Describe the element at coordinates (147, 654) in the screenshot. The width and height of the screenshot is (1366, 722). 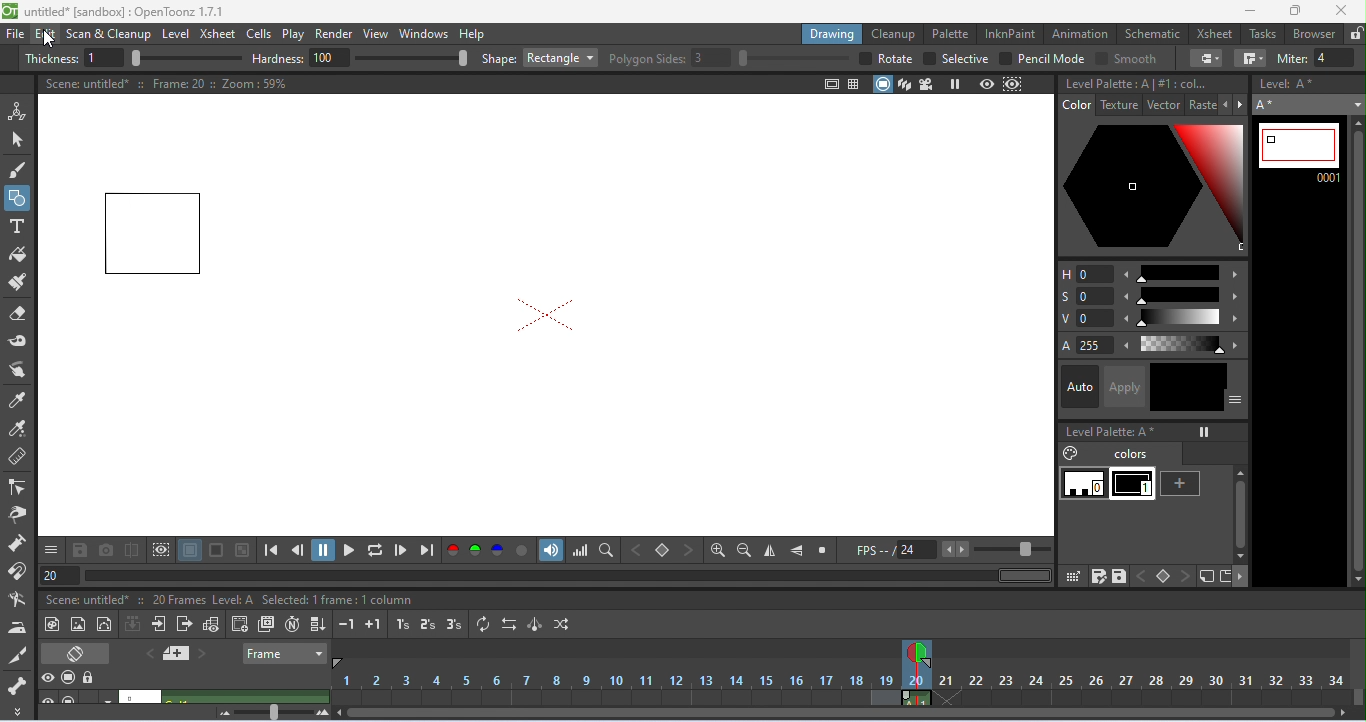
I see `previous` at that location.